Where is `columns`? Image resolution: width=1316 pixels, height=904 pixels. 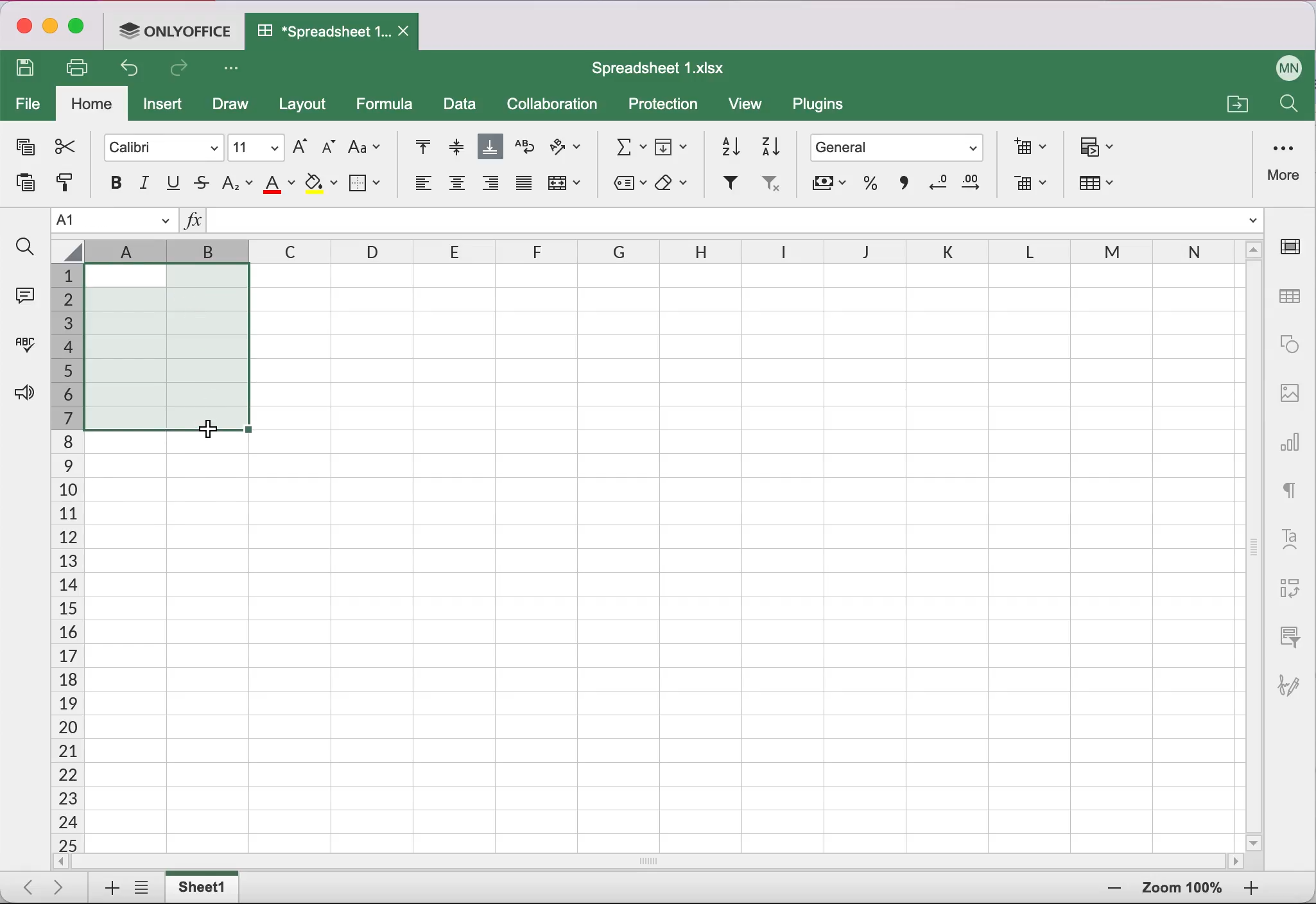
columns is located at coordinates (528, 252).